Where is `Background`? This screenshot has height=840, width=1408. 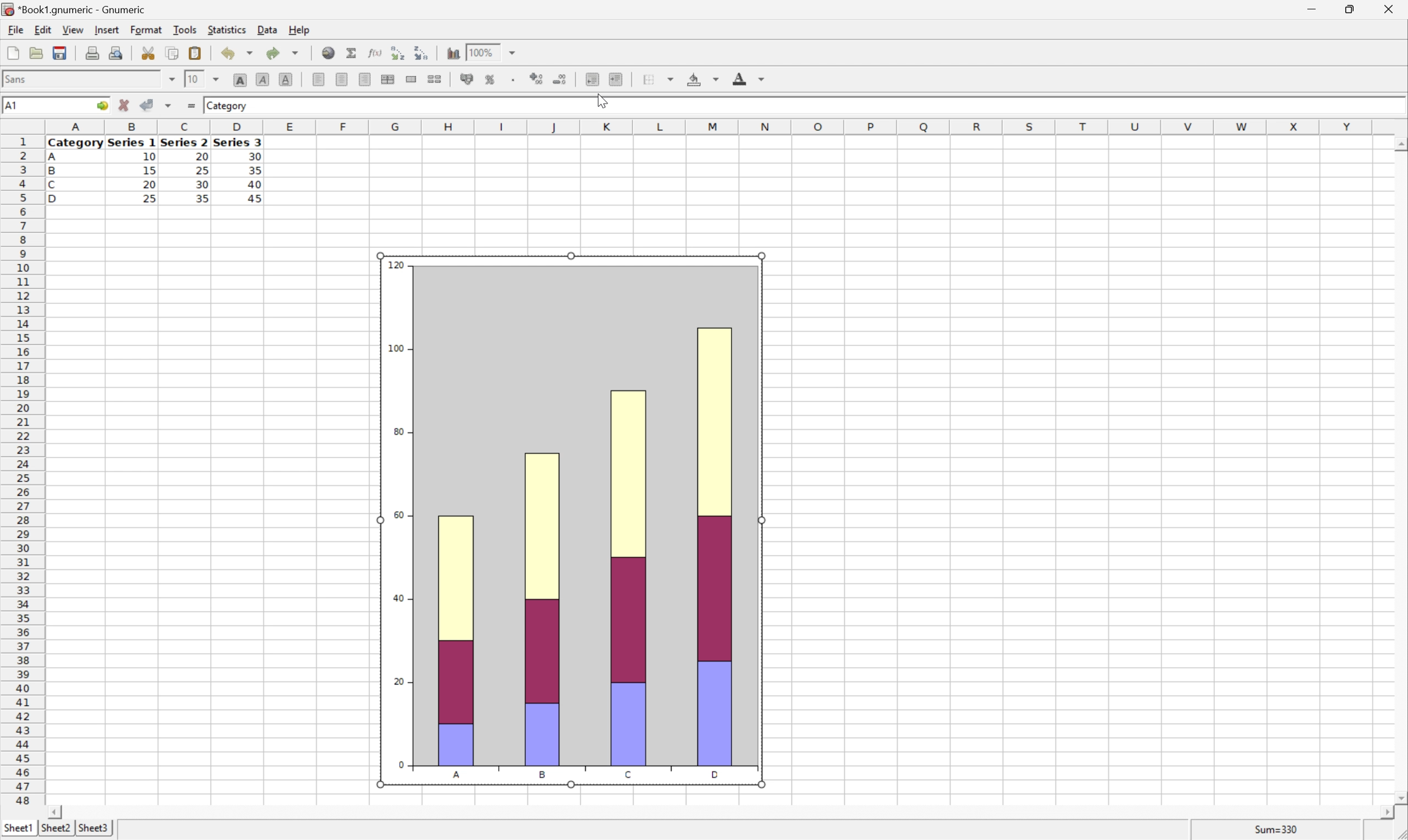
Background is located at coordinates (701, 78).